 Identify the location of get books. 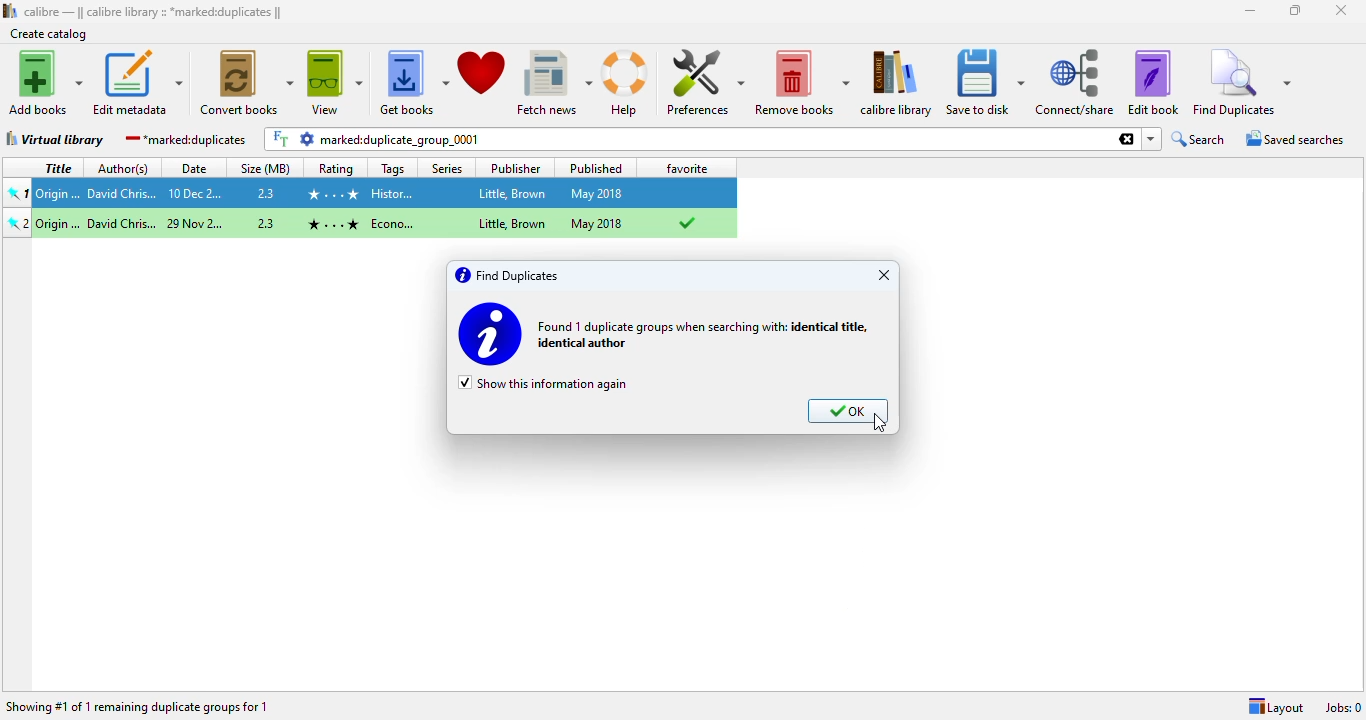
(412, 81).